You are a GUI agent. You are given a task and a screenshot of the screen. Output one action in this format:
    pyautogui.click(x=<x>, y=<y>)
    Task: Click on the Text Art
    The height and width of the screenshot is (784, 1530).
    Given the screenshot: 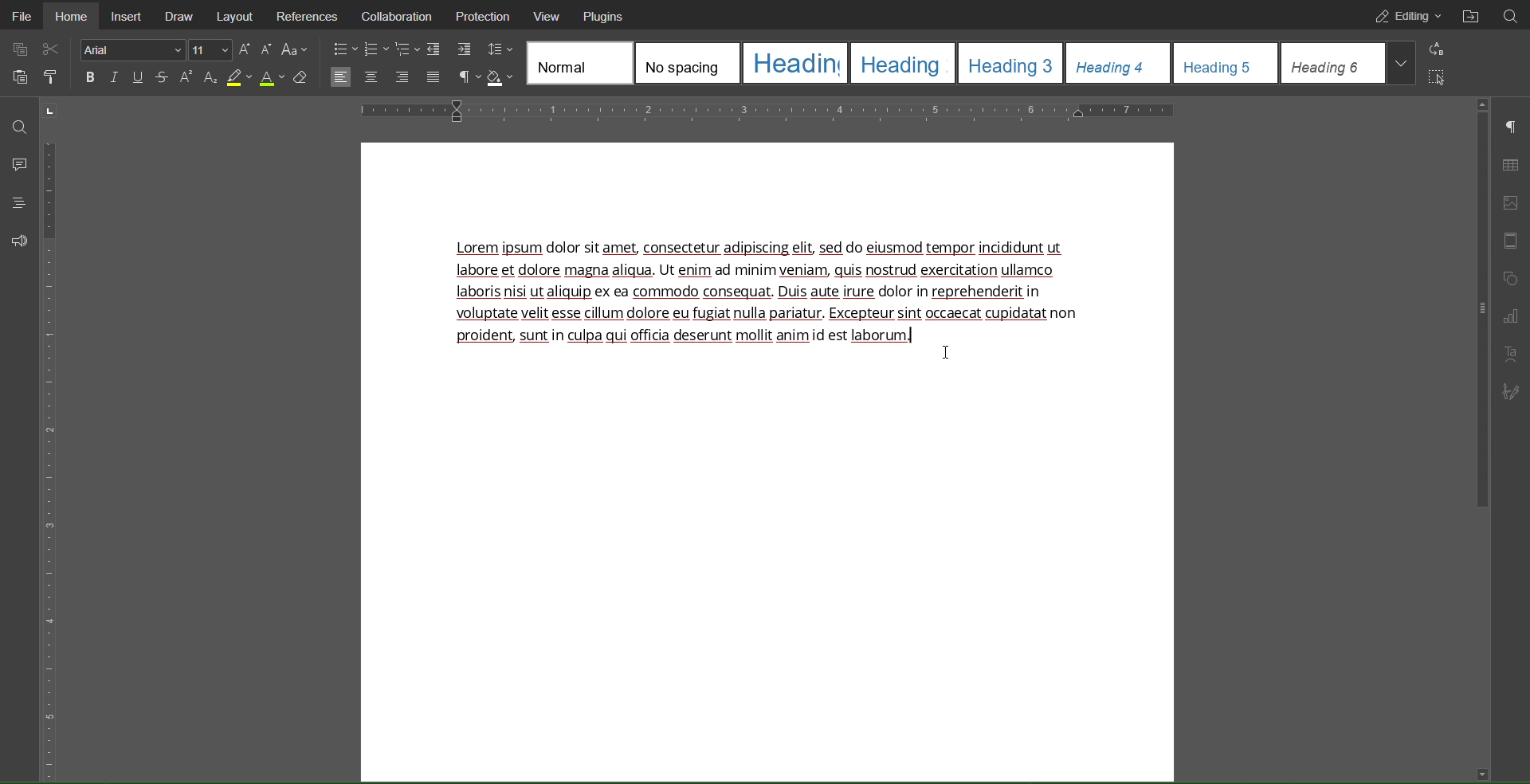 What is the action you would take?
    pyautogui.click(x=1511, y=354)
    